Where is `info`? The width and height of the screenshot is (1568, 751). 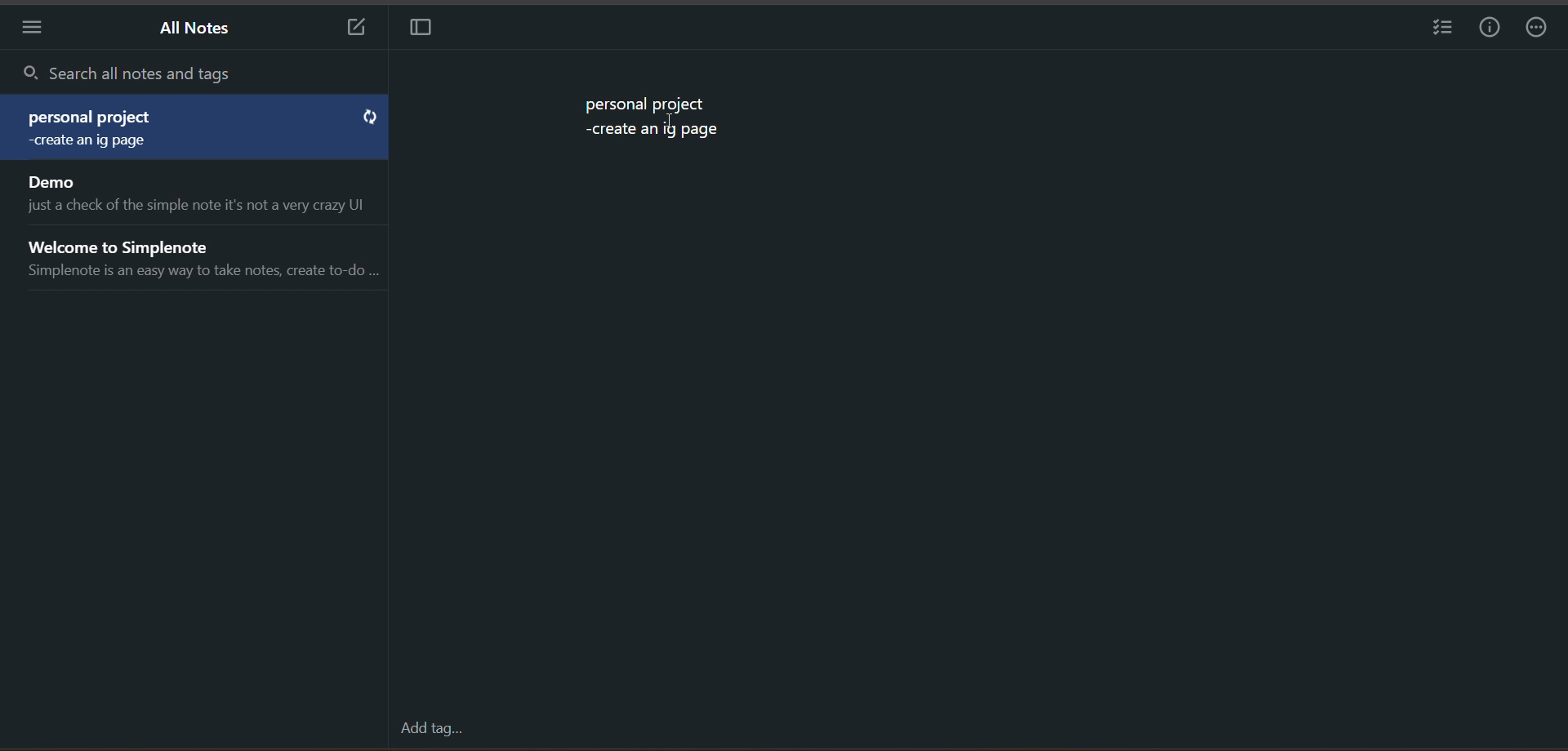
info is located at coordinates (1490, 30).